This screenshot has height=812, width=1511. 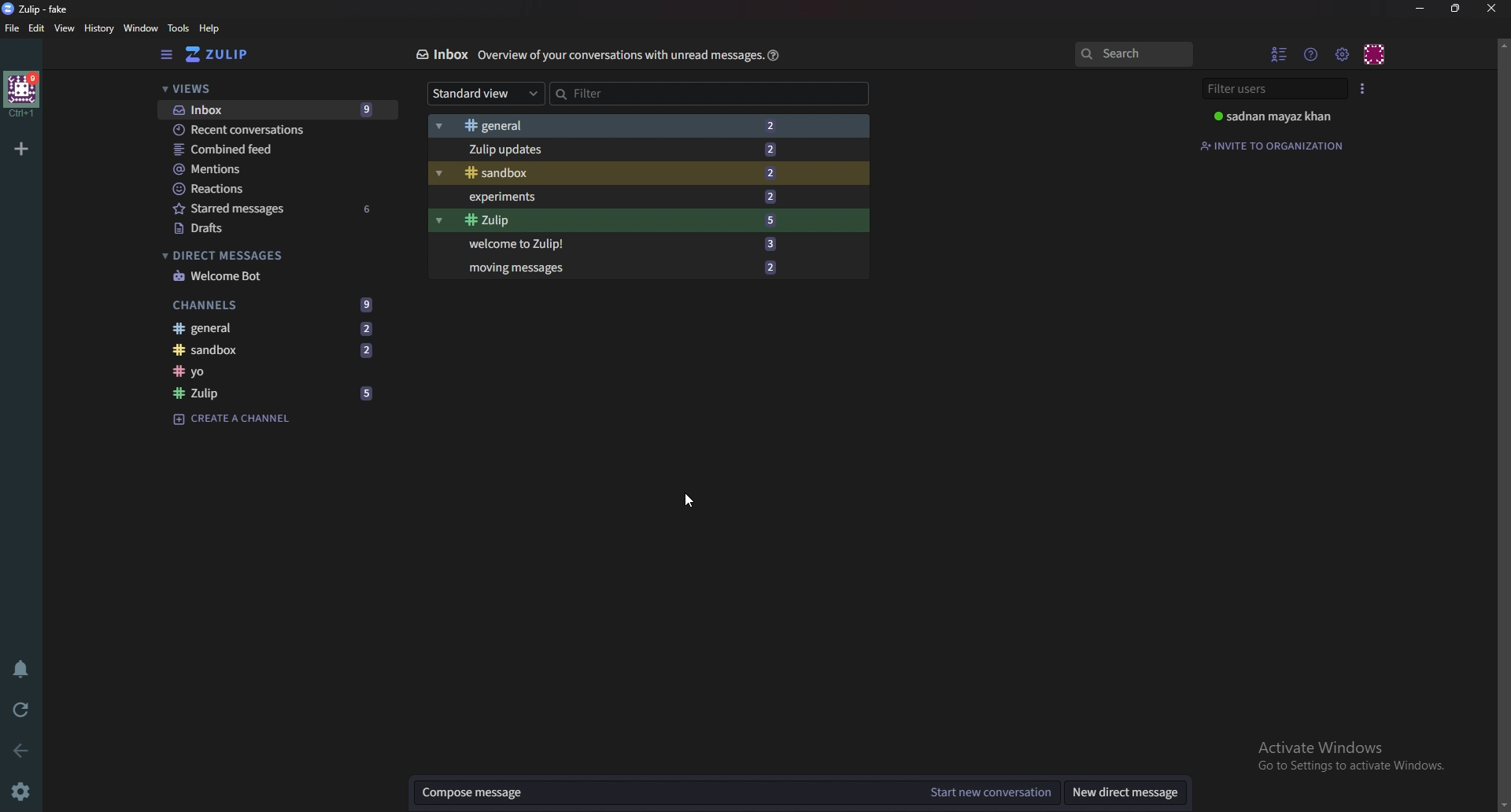 What do you see at coordinates (1419, 9) in the screenshot?
I see `minimize` at bounding box center [1419, 9].